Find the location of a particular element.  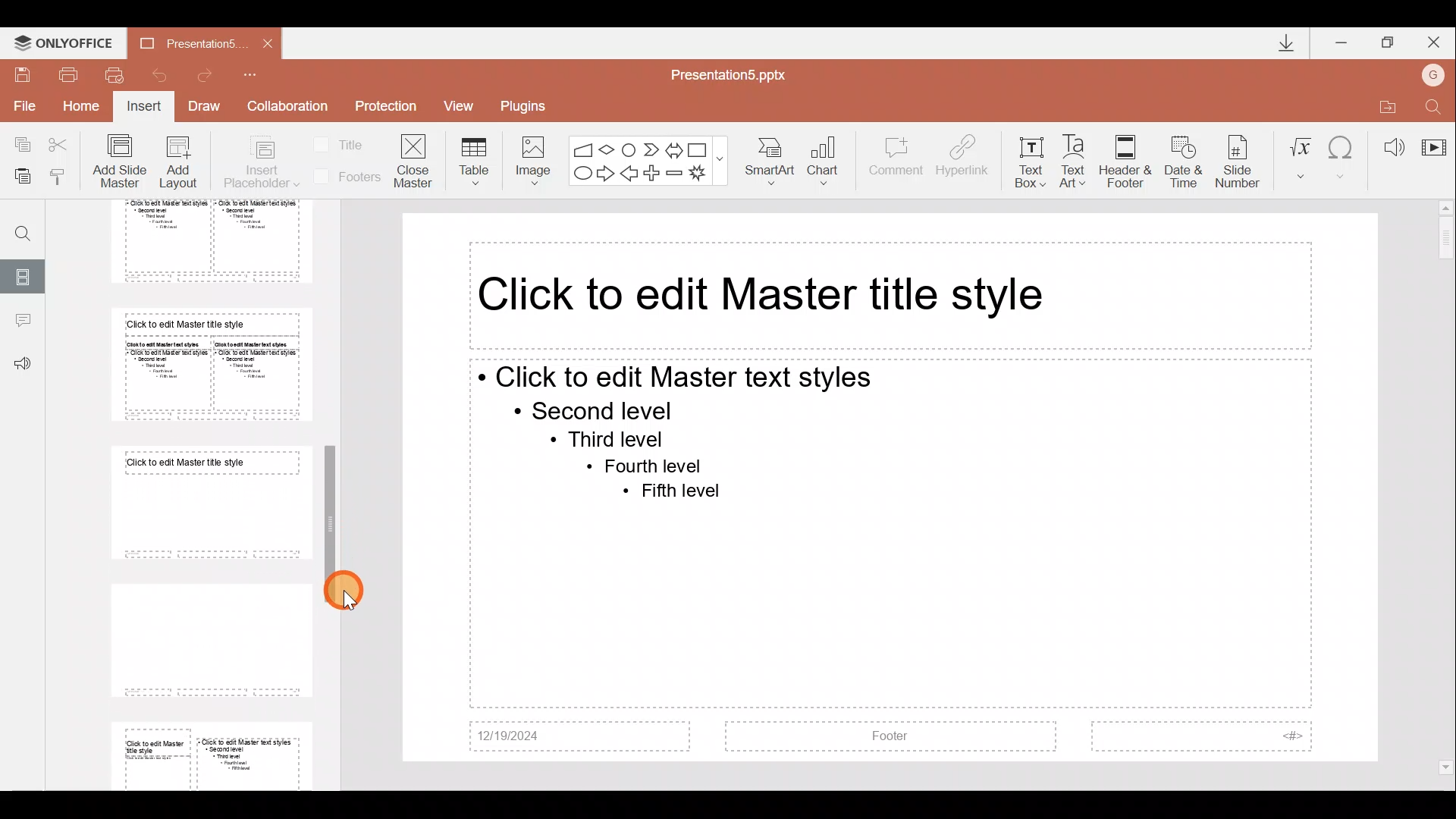

Header & footer is located at coordinates (1125, 161).